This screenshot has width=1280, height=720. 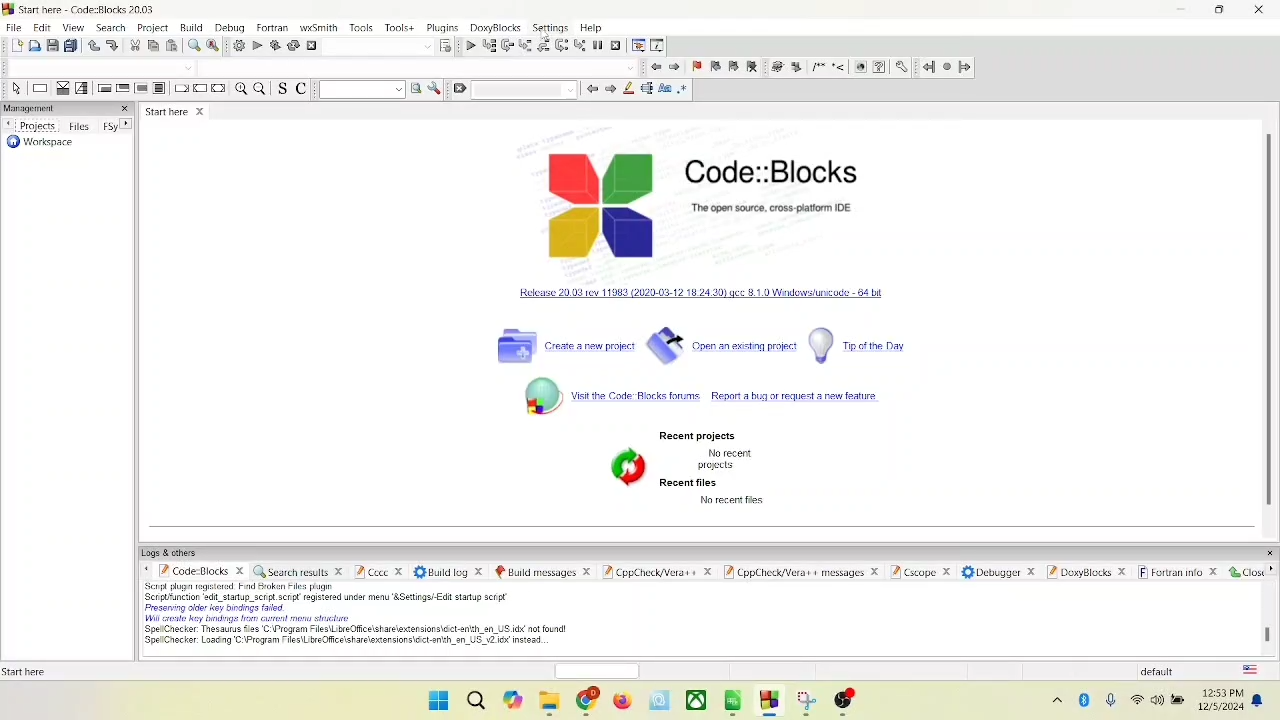 What do you see at coordinates (301, 569) in the screenshot?
I see `search results` at bounding box center [301, 569].